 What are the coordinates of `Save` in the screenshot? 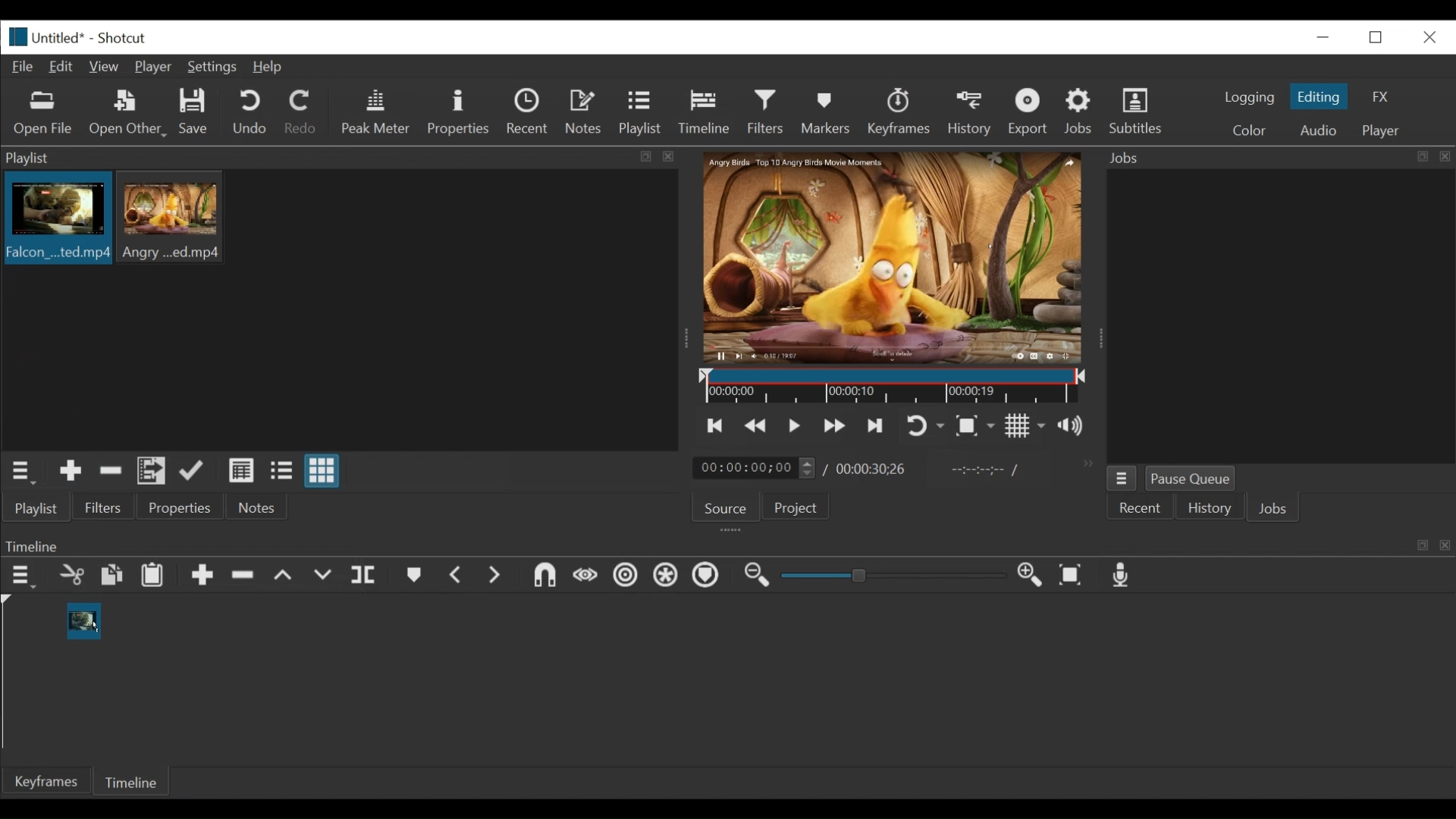 It's located at (194, 114).